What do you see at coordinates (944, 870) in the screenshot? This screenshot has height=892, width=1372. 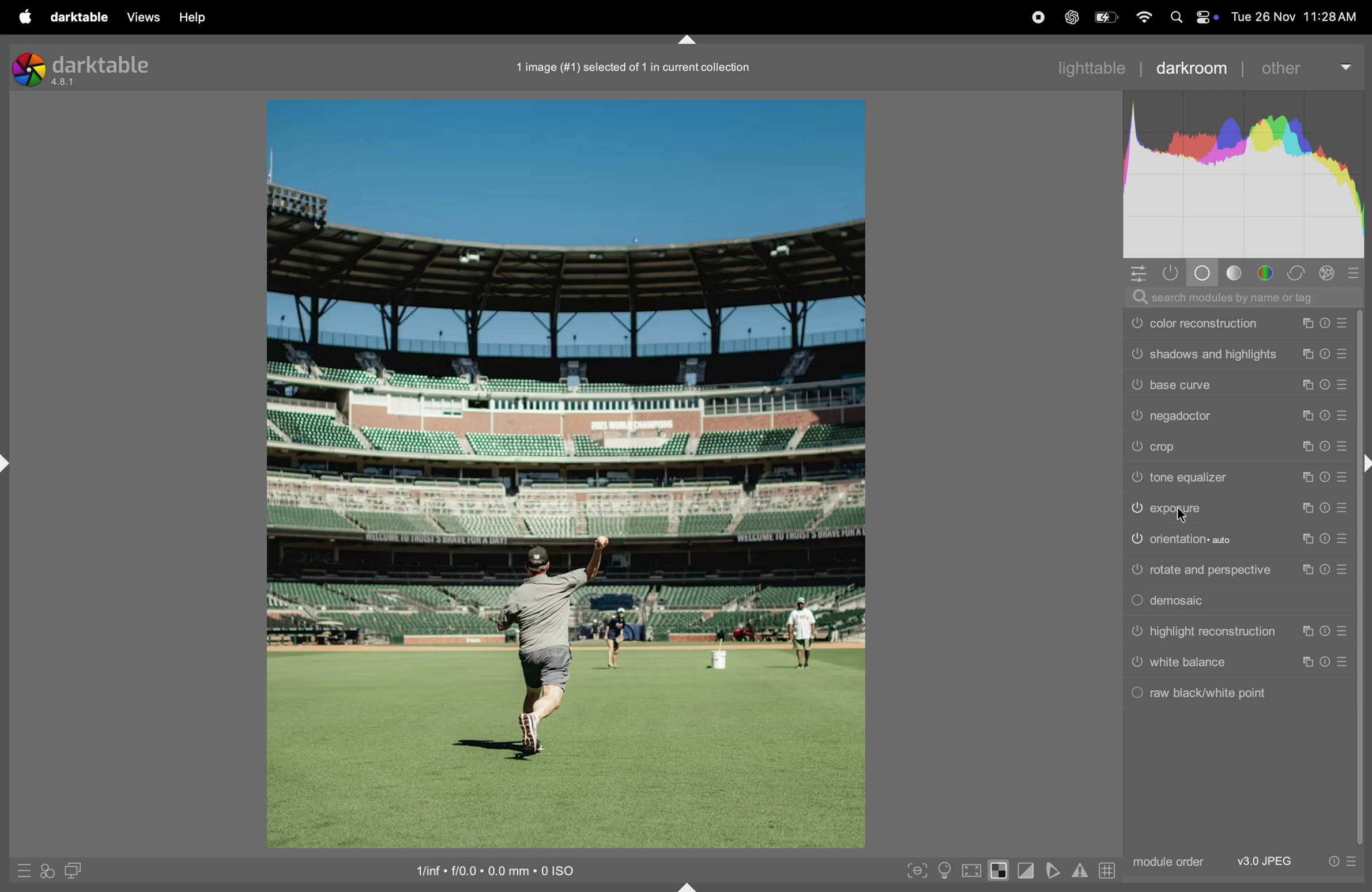 I see `toggle iso` at bounding box center [944, 870].